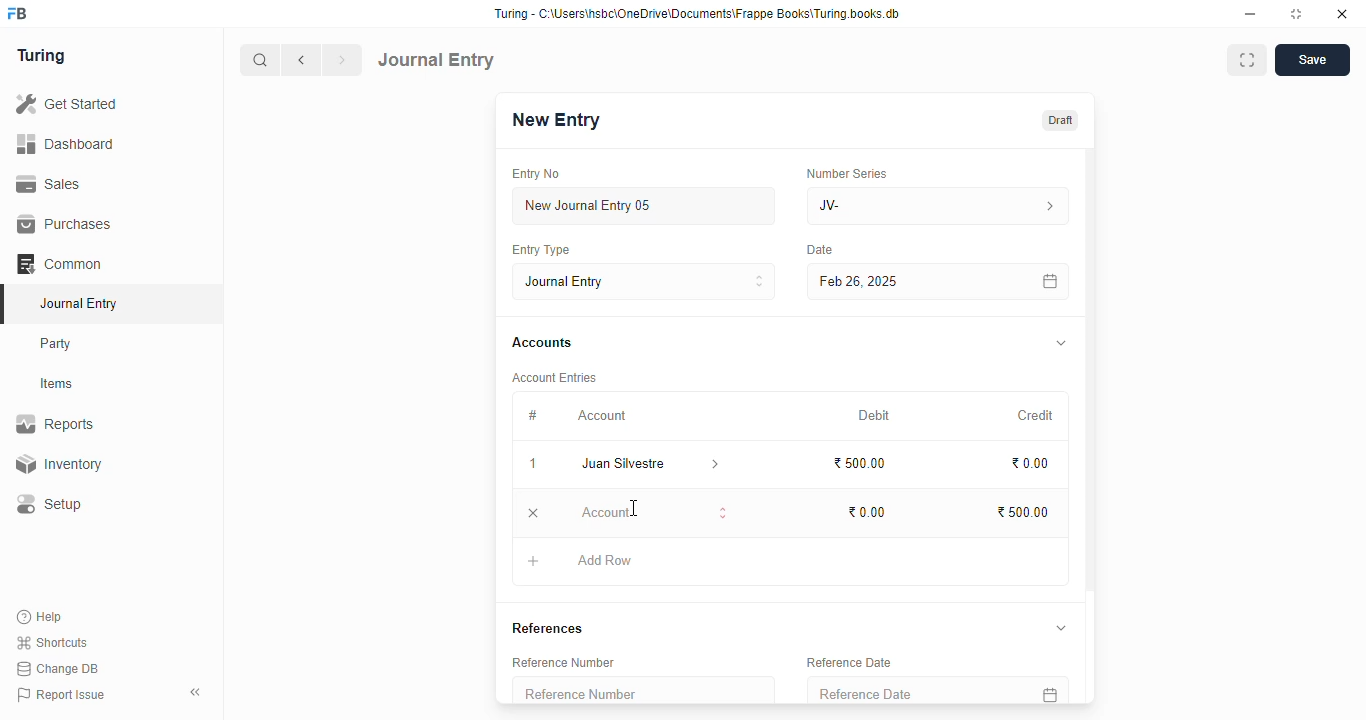 This screenshot has width=1366, height=720. Describe the element at coordinates (542, 343) in the screenshot. I see `accounts` at that location.